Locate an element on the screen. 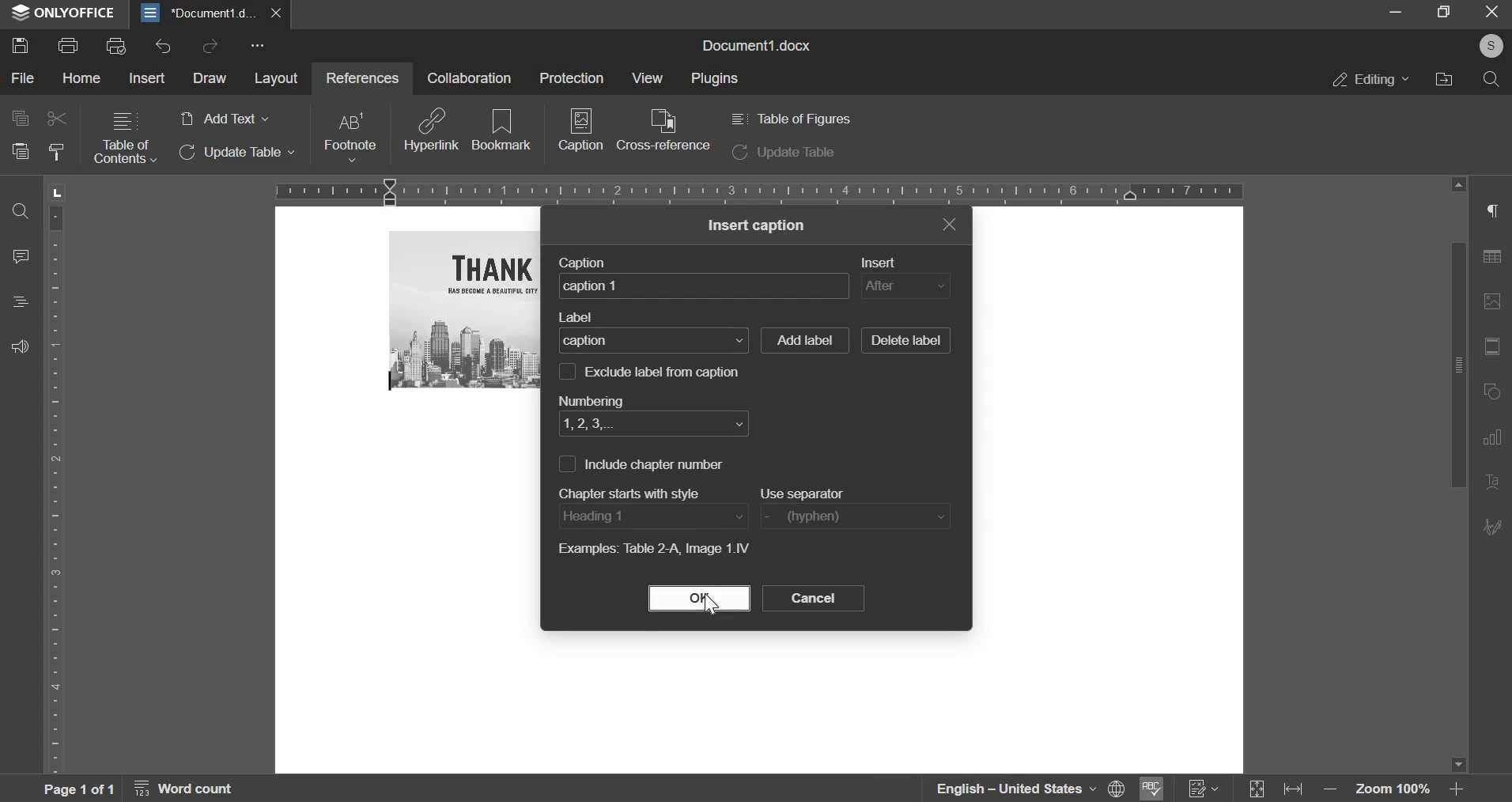  heading is located at coordinates (652, 516).